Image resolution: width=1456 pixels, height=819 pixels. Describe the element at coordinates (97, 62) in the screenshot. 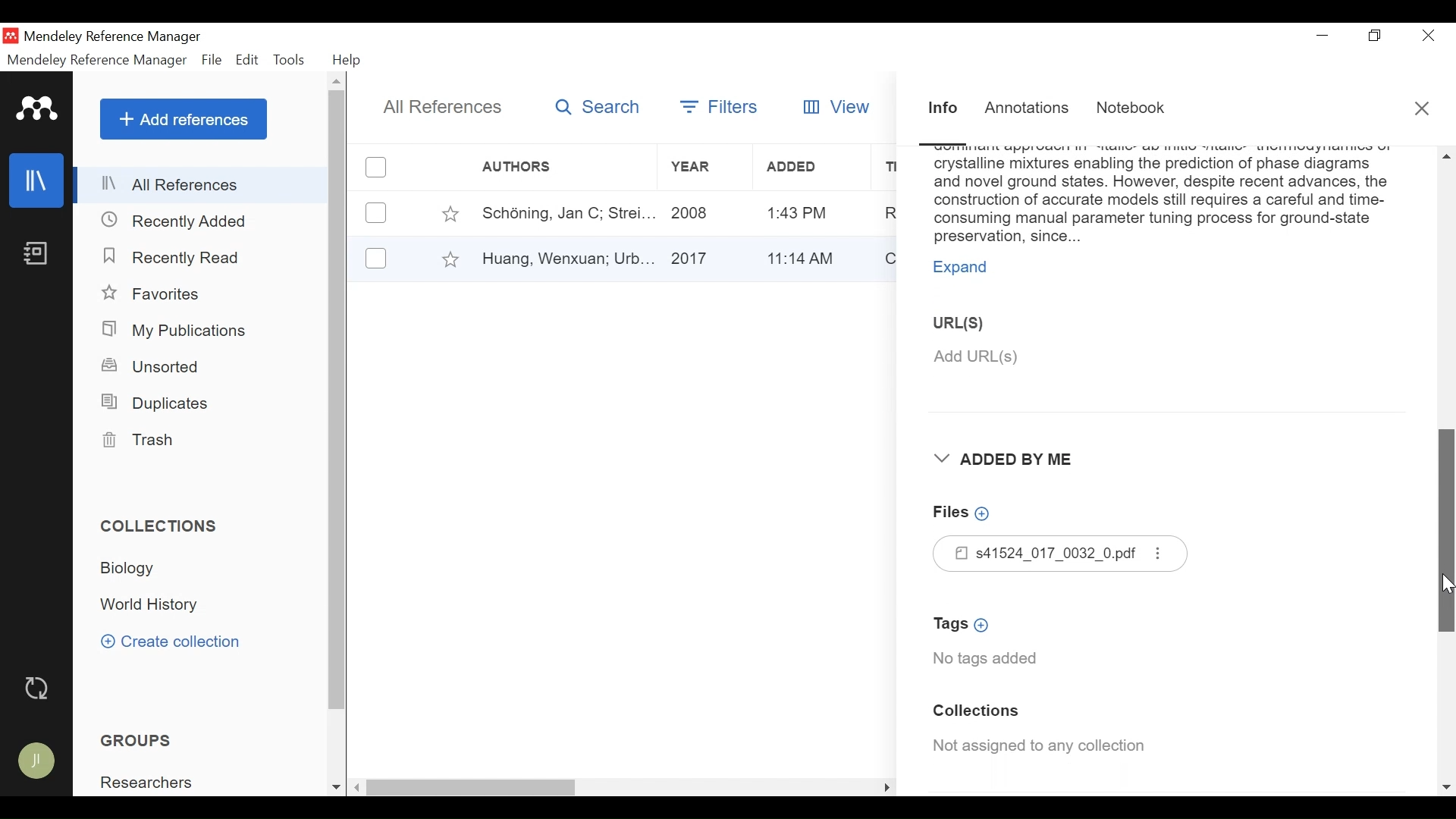

I see `Mendeley Reference Manager` at that location.